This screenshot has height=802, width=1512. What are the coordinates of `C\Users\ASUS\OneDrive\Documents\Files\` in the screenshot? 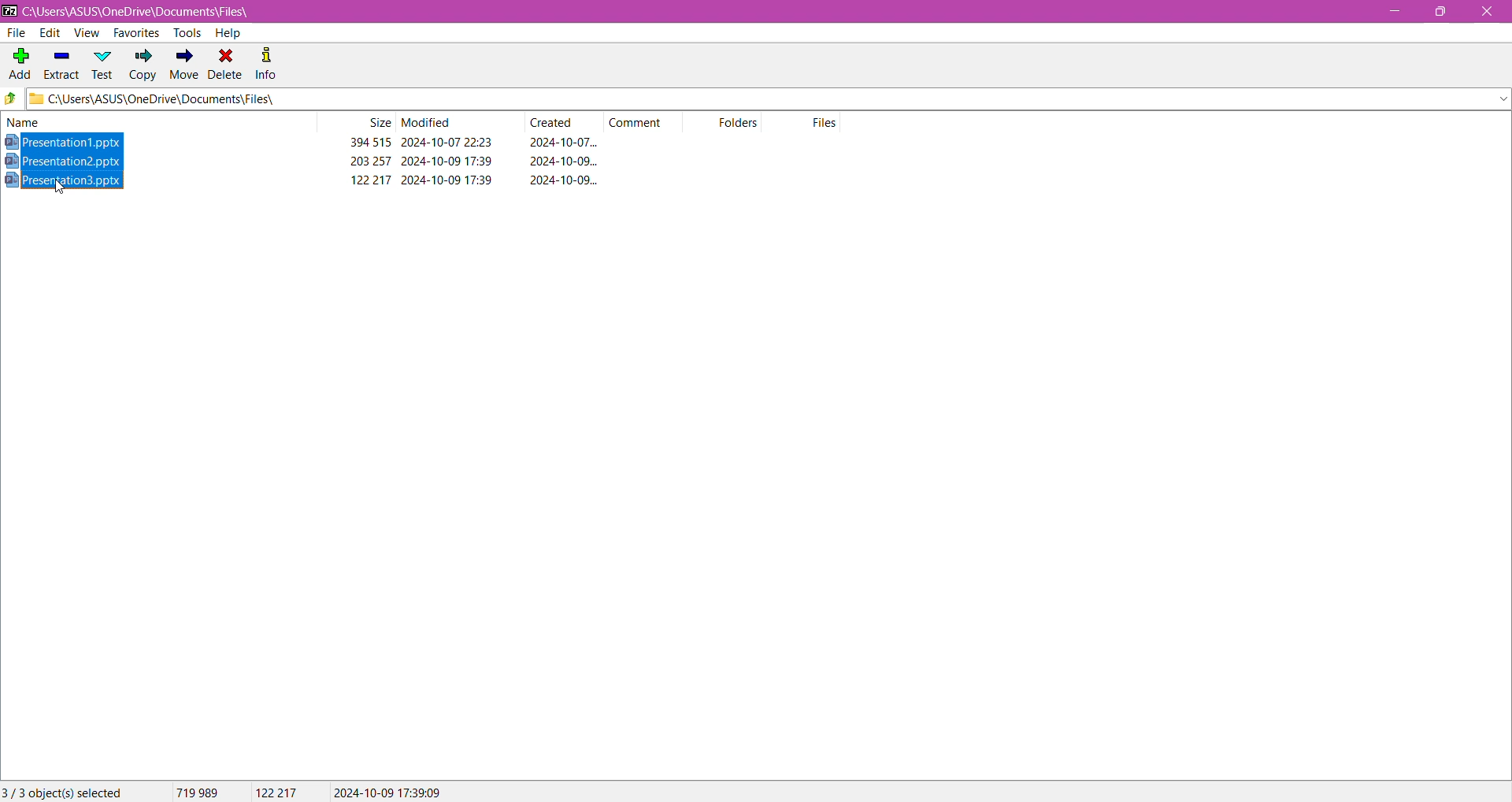 It's located at (180, 100).